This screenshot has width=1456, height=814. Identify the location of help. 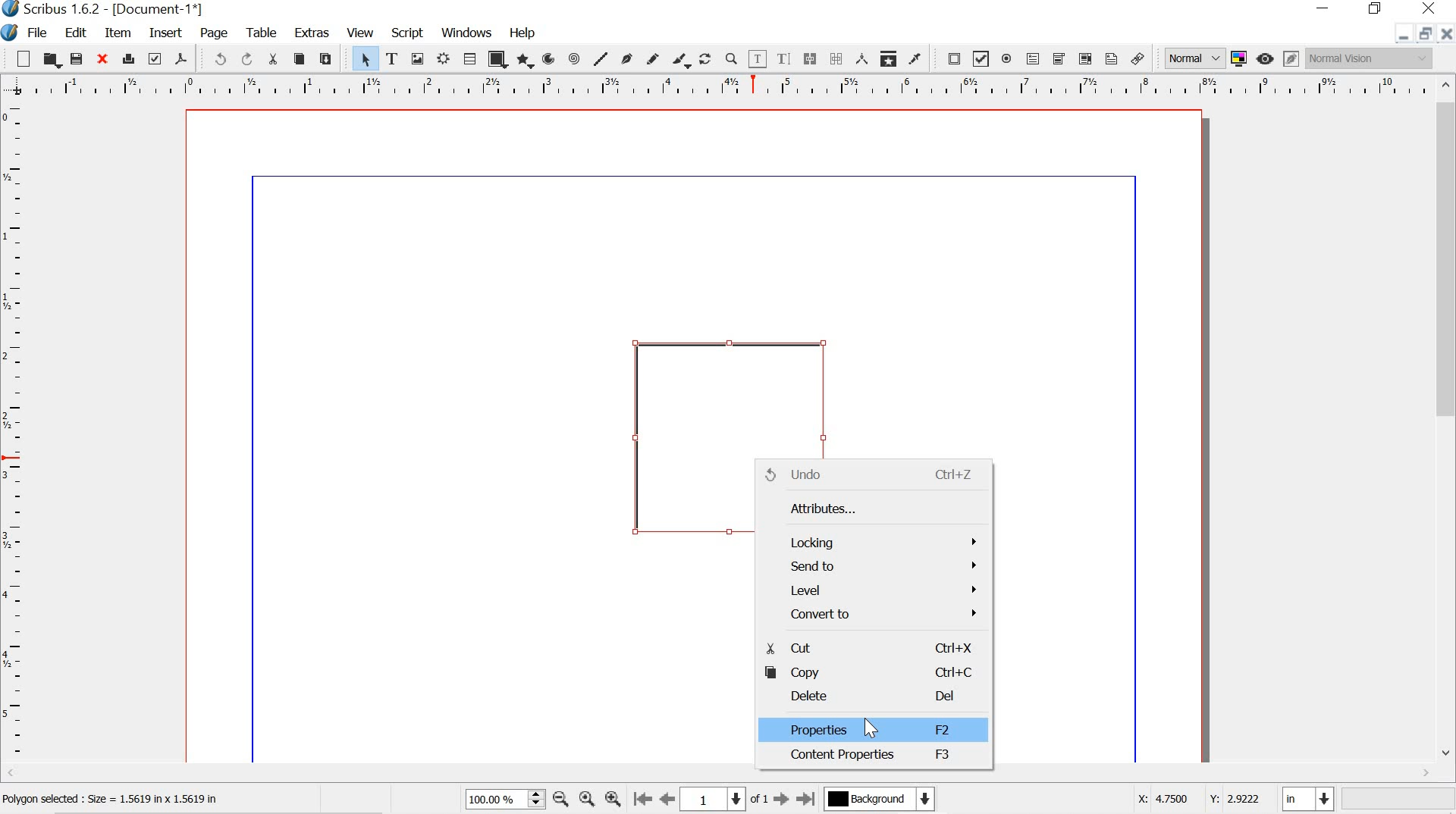
(520, 31).